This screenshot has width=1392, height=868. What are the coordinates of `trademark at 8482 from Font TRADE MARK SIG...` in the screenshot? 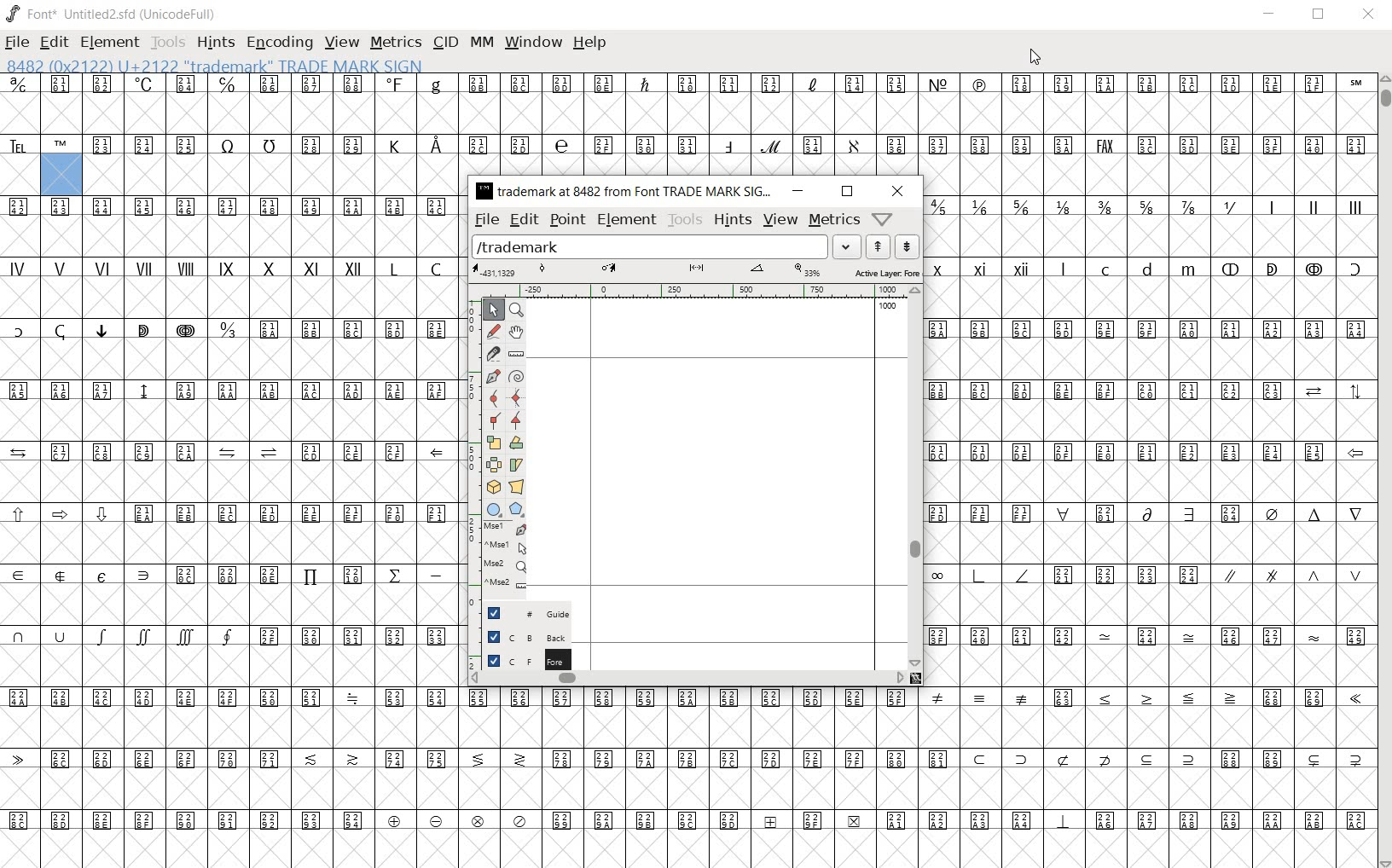 It's located at (624, 192).